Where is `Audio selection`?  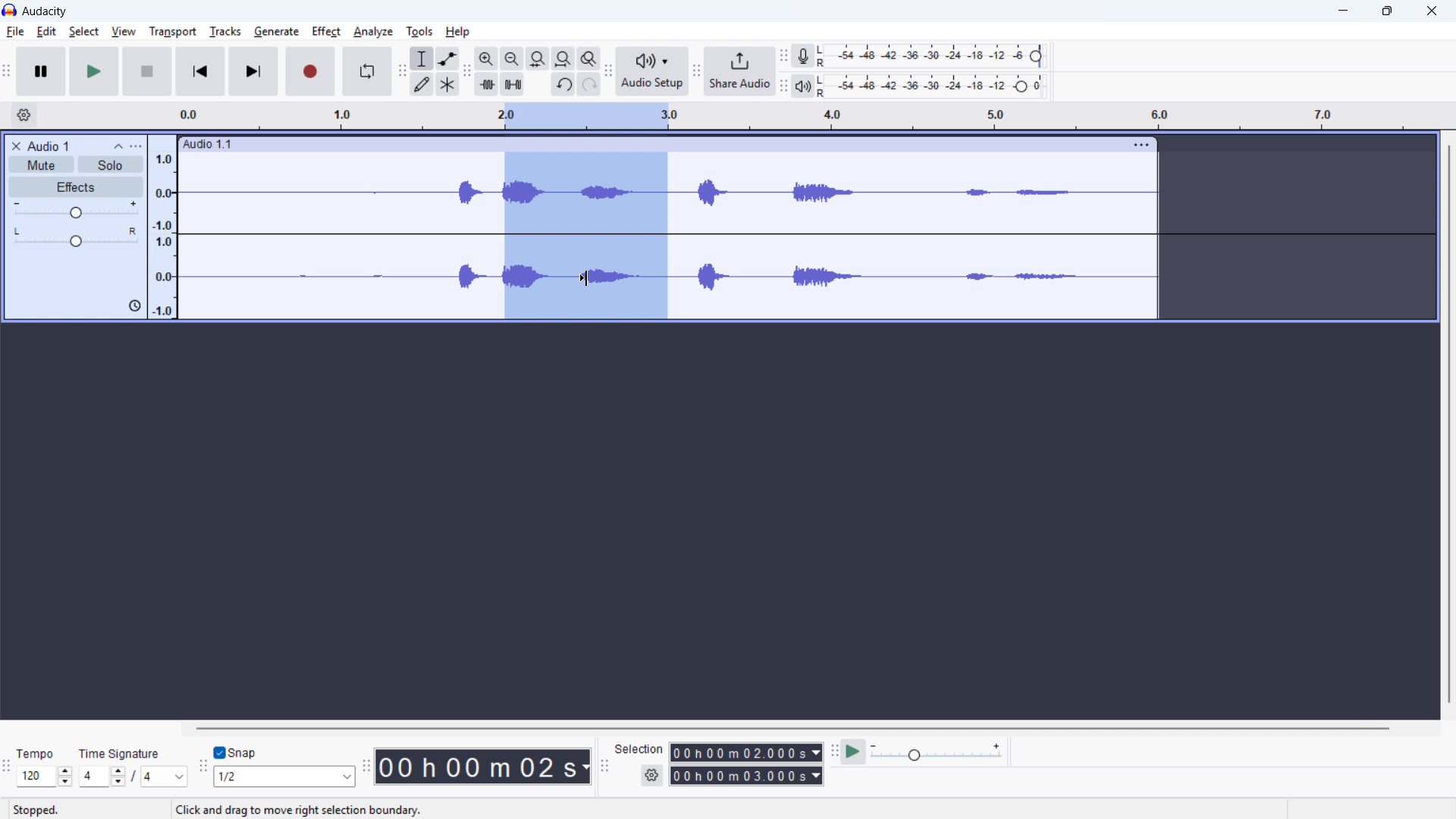 Audio selection is located at coordinates (585, 236).